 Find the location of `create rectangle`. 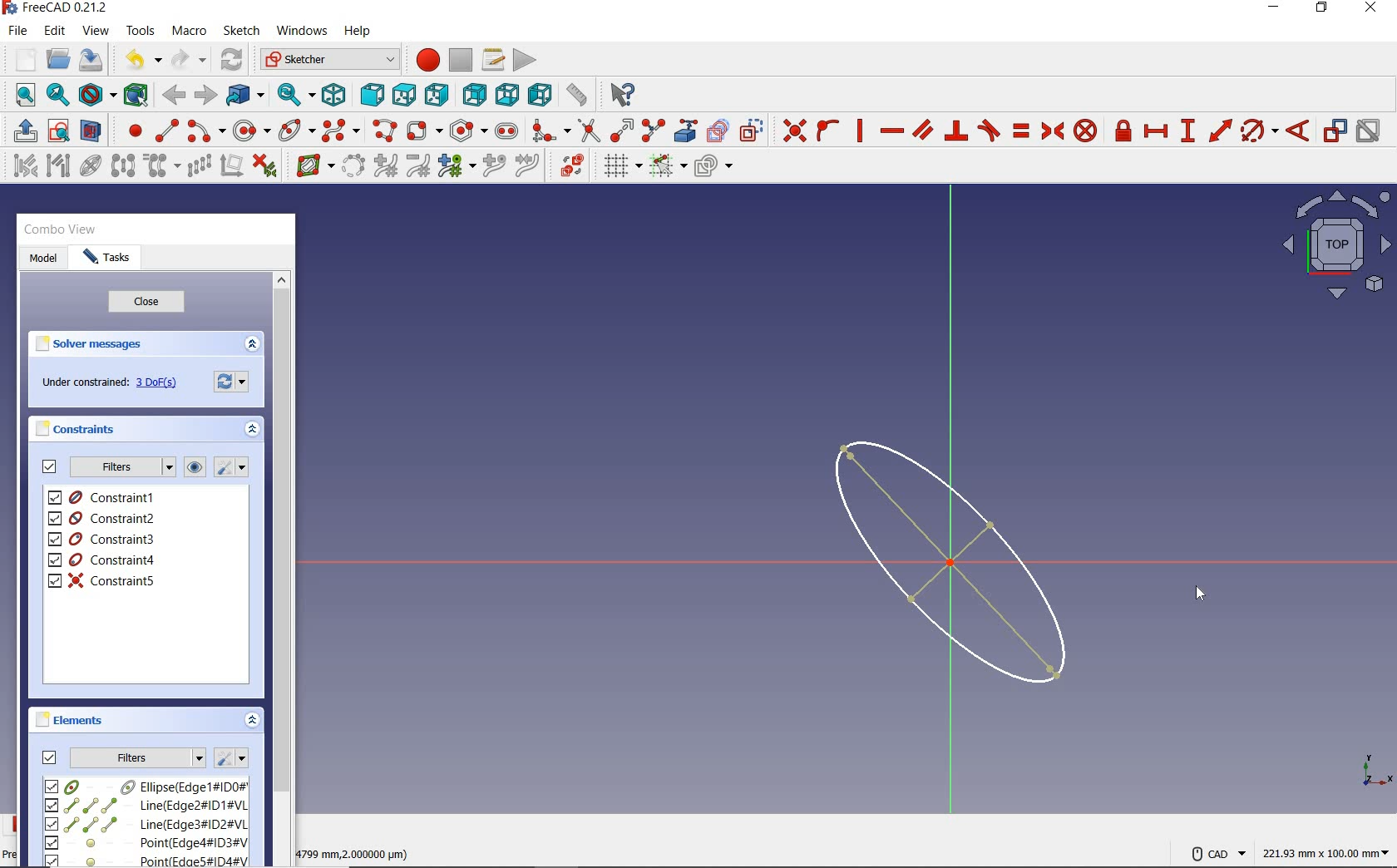

create rectangle is located at coordinates (423, 131).